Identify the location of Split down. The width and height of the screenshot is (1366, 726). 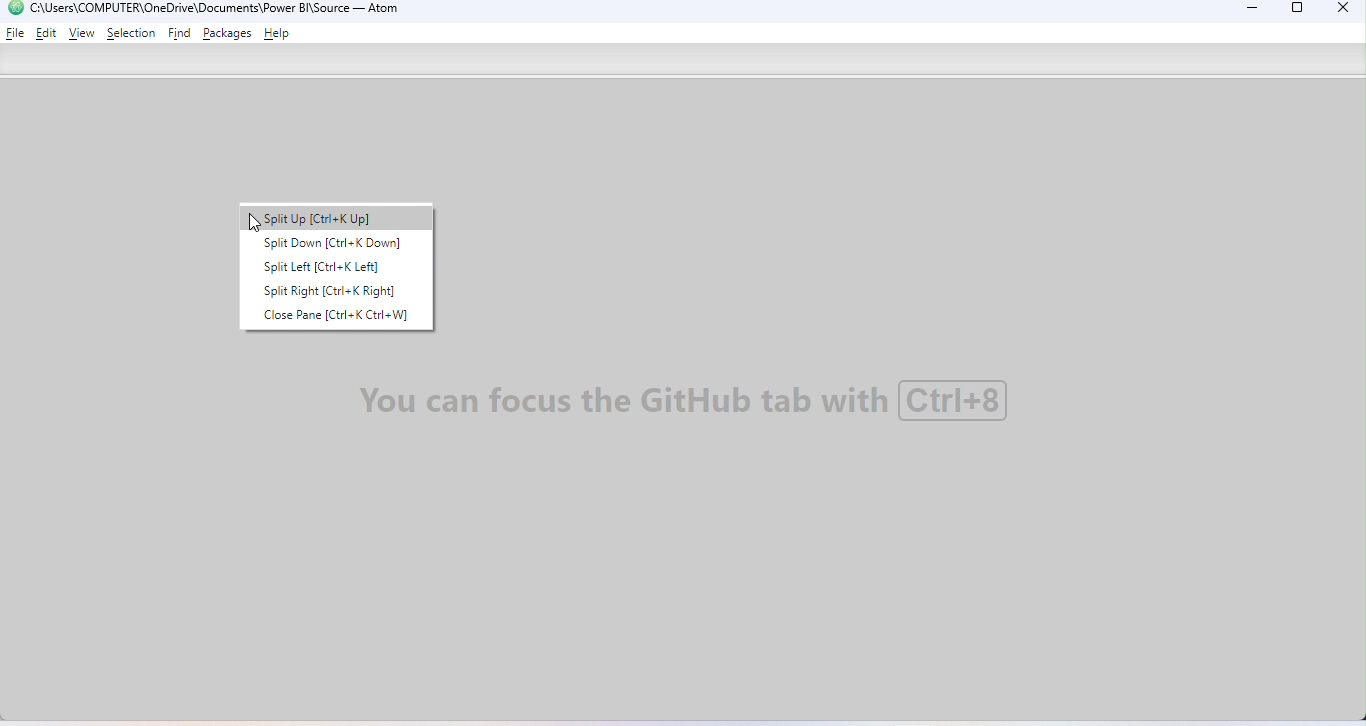
(331, 246).